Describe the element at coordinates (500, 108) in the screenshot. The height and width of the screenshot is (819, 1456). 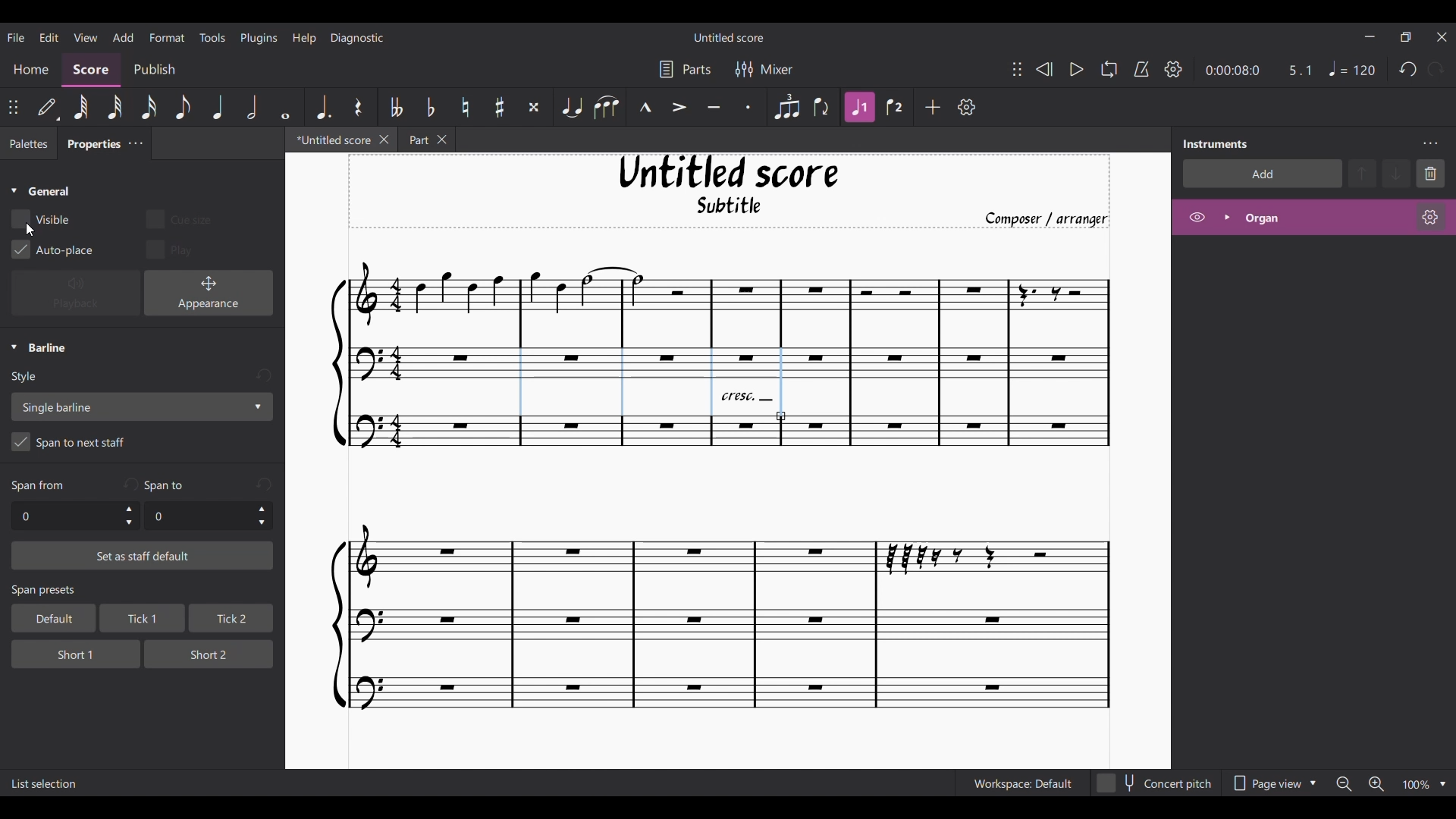
I see `Toggle sharp` at that location.